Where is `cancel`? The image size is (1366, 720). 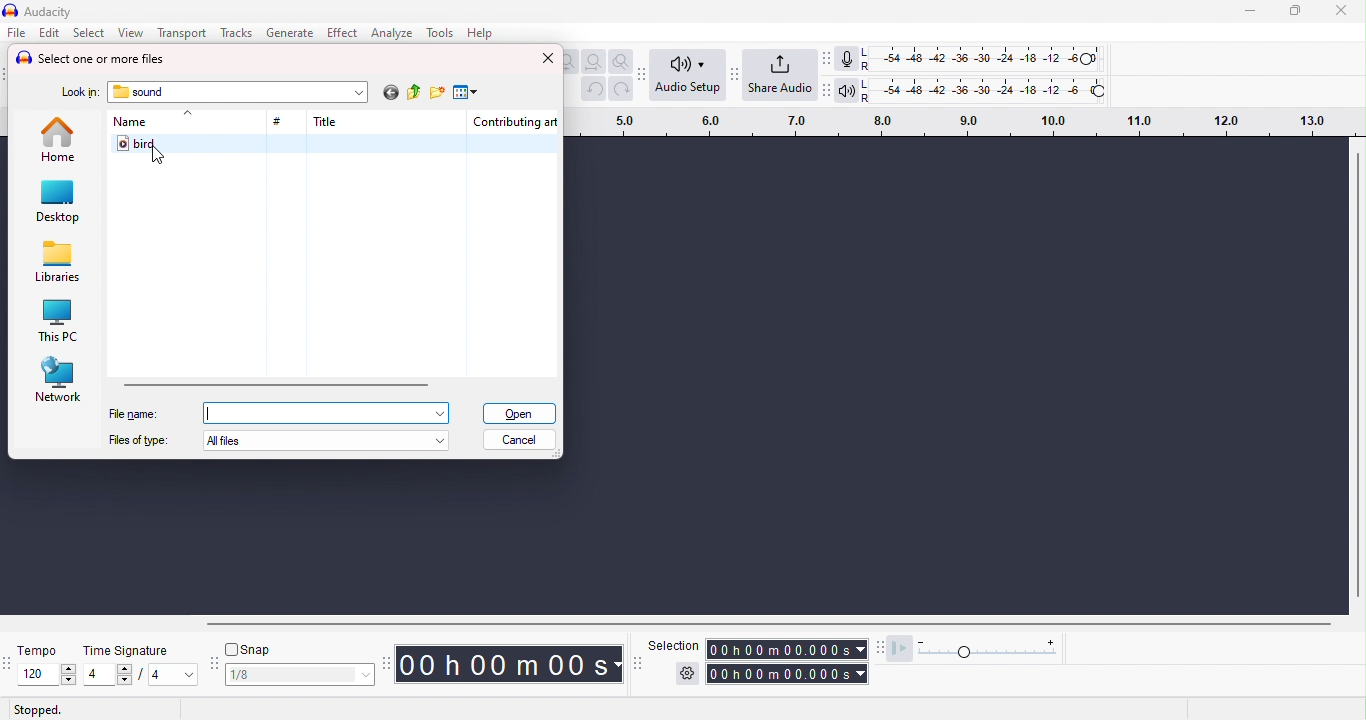 cancel is located at coordinates (520, 440).